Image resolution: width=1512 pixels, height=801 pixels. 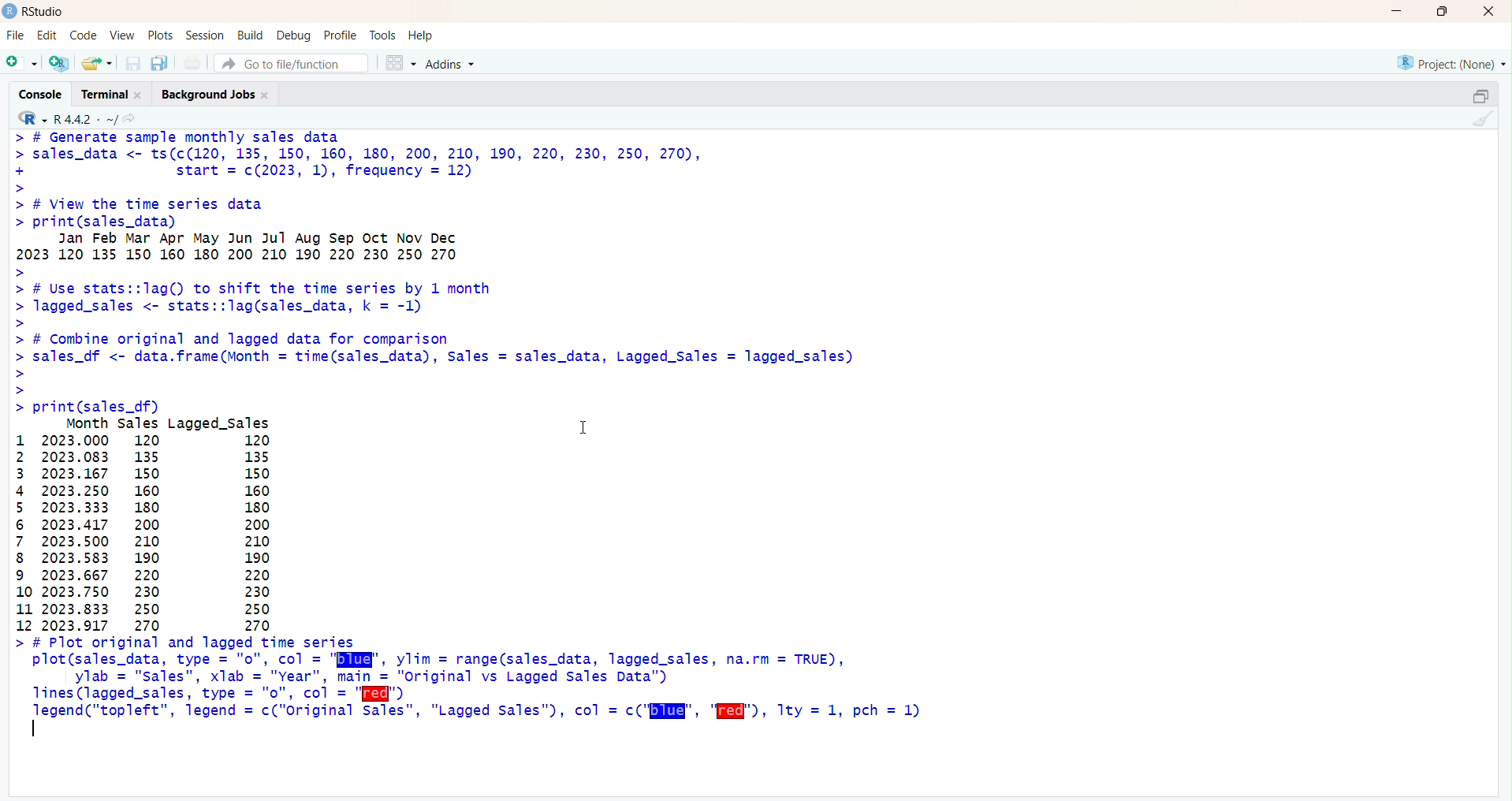 I want to click on help, so click(x=423, y=35).